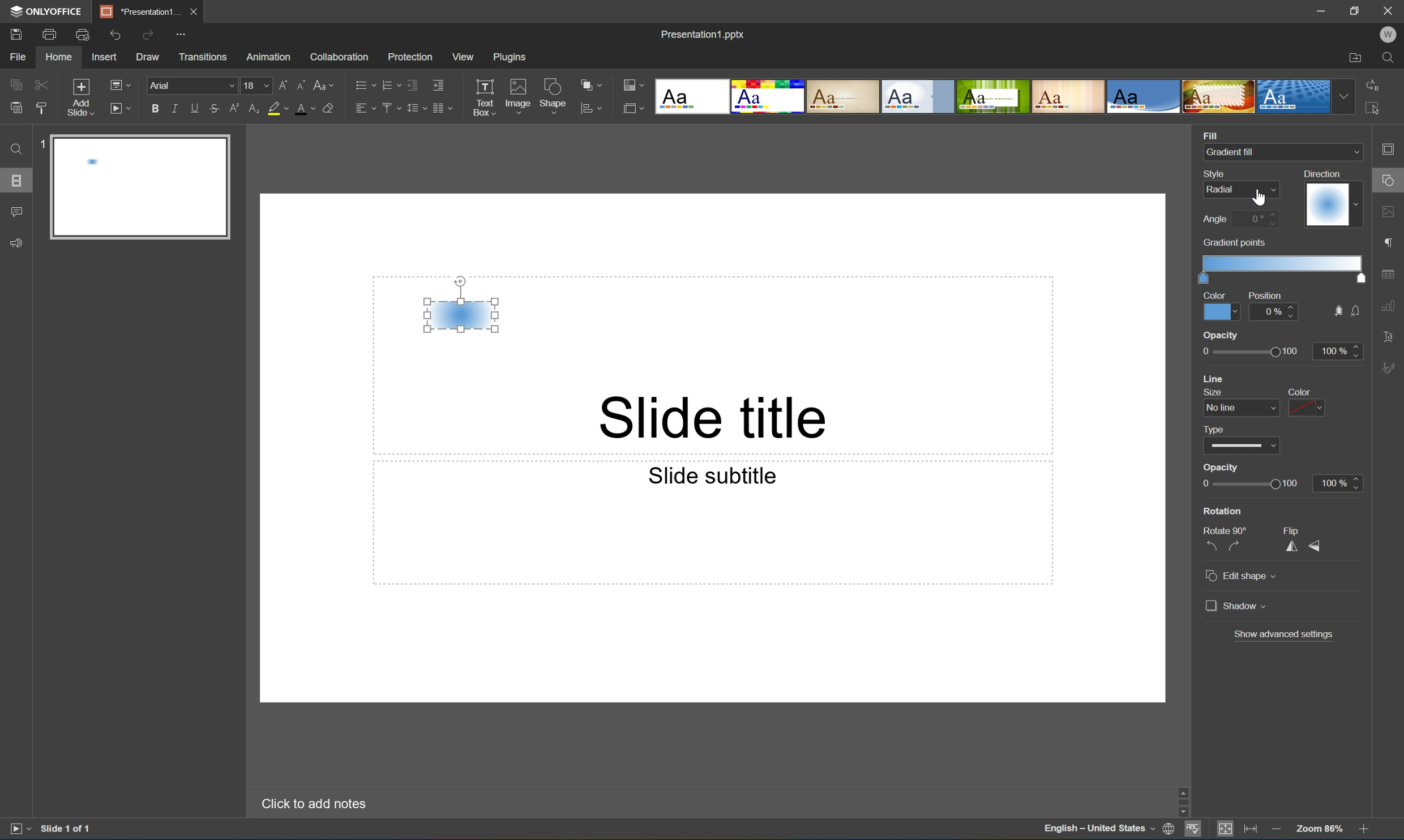 The width and height of the screenshot is (1404, 840). I want to click on Redo, so click(149, 36).